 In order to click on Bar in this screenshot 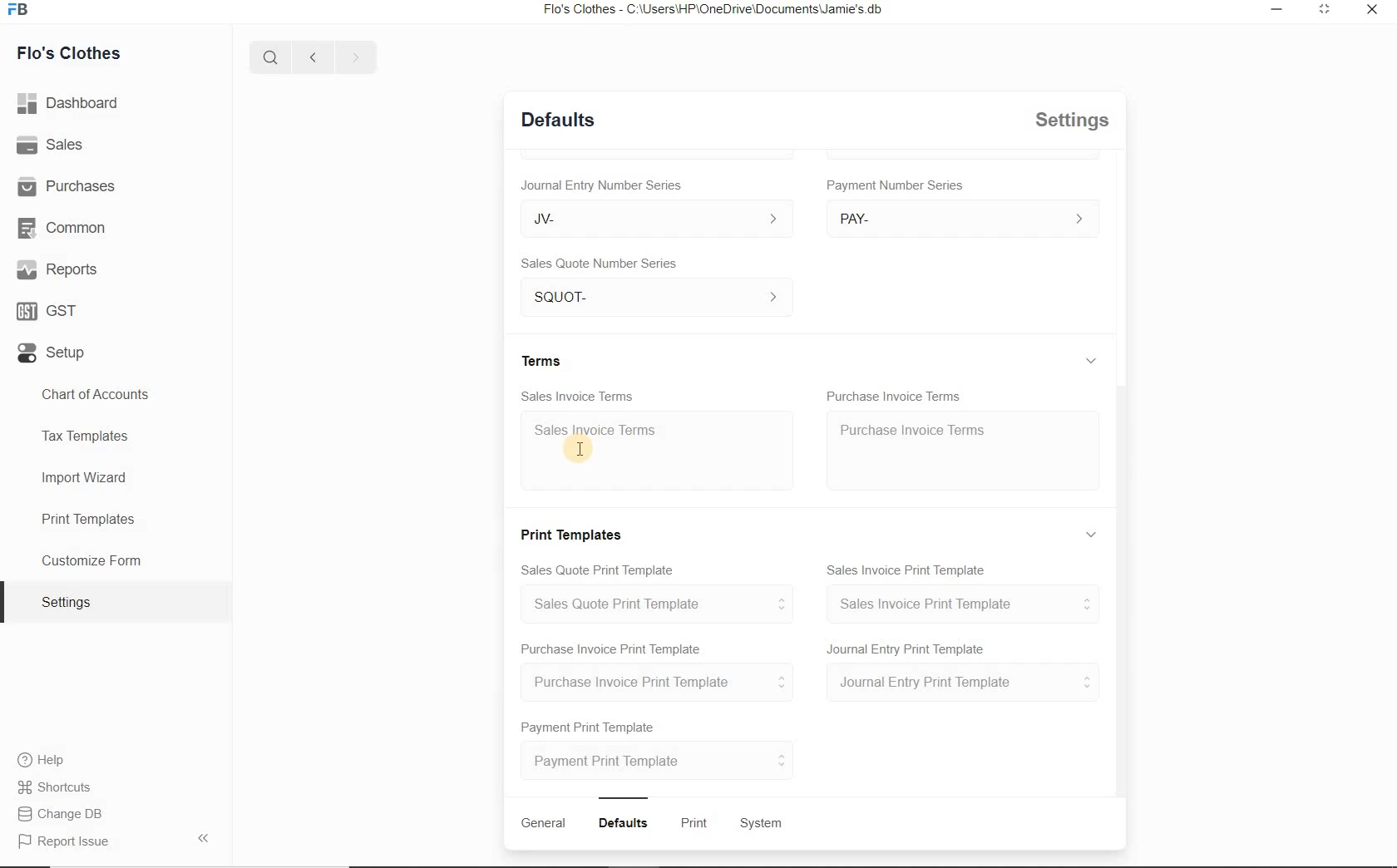, I will do `click(624, 796)`.